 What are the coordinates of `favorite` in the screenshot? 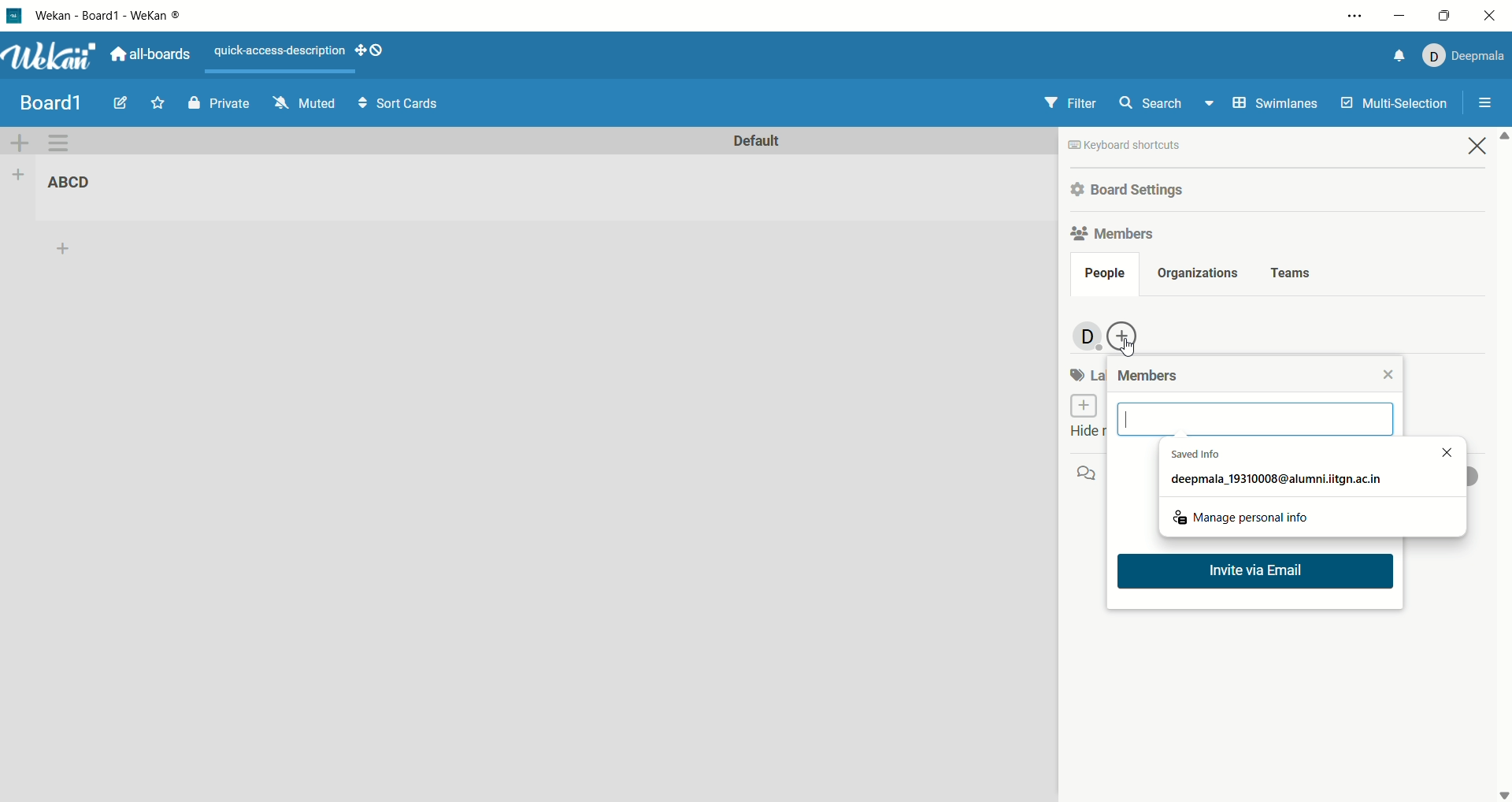 It's located at (157, 102).